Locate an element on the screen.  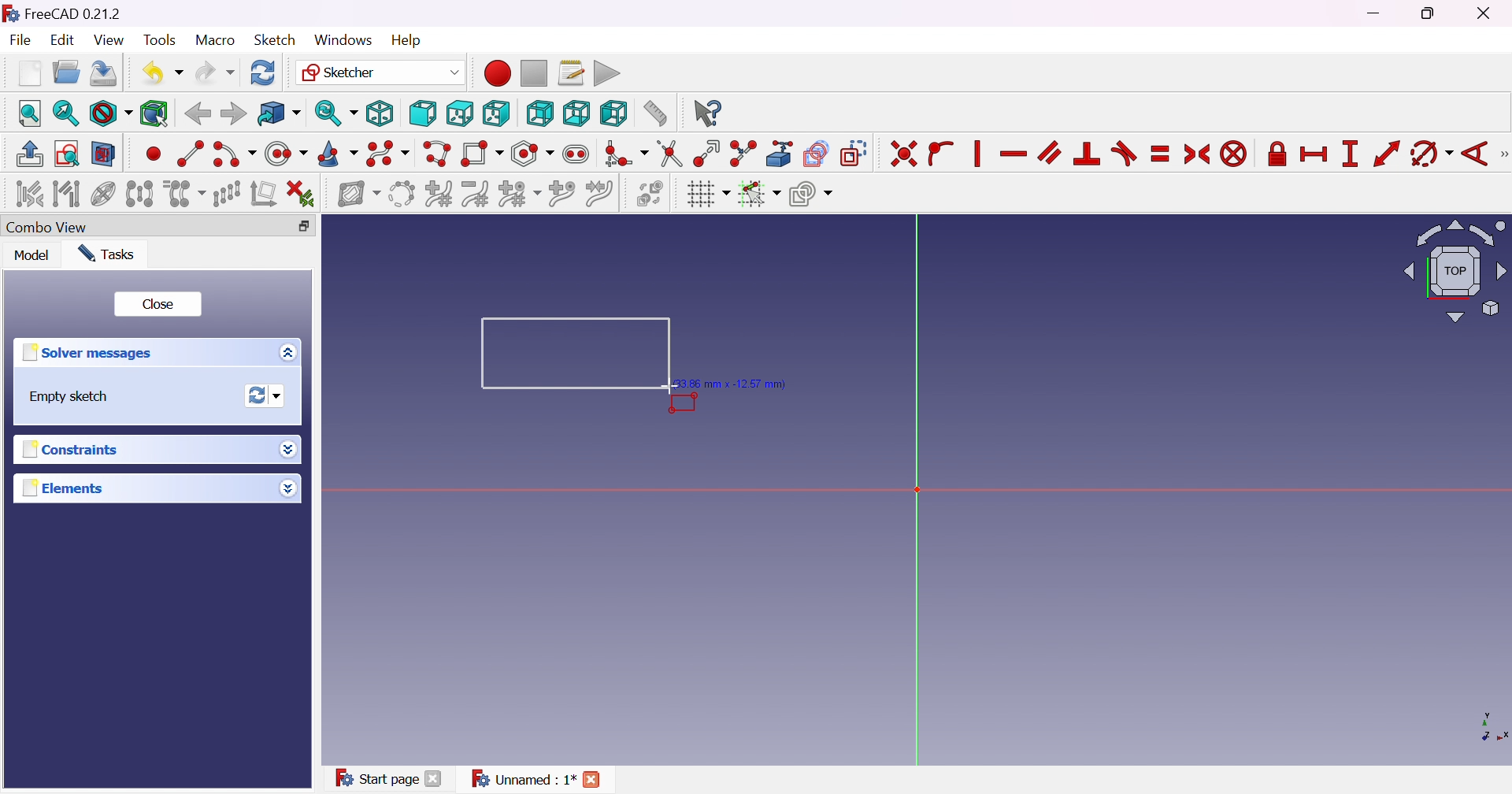
Back is located at coordinates (197, 114).